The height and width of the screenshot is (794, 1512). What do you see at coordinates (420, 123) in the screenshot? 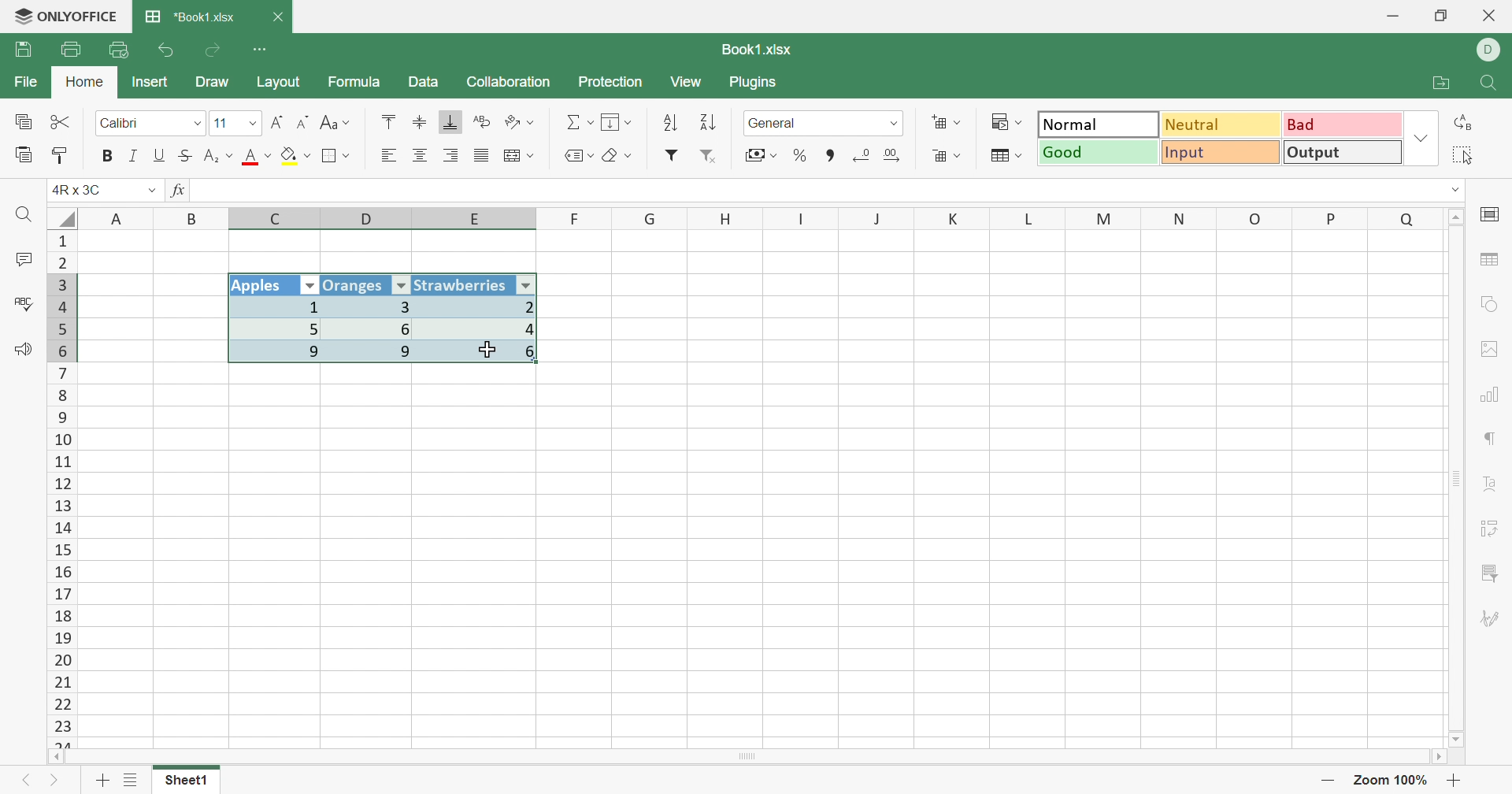
I see `Align Middle` at bounding box center [420, 123].